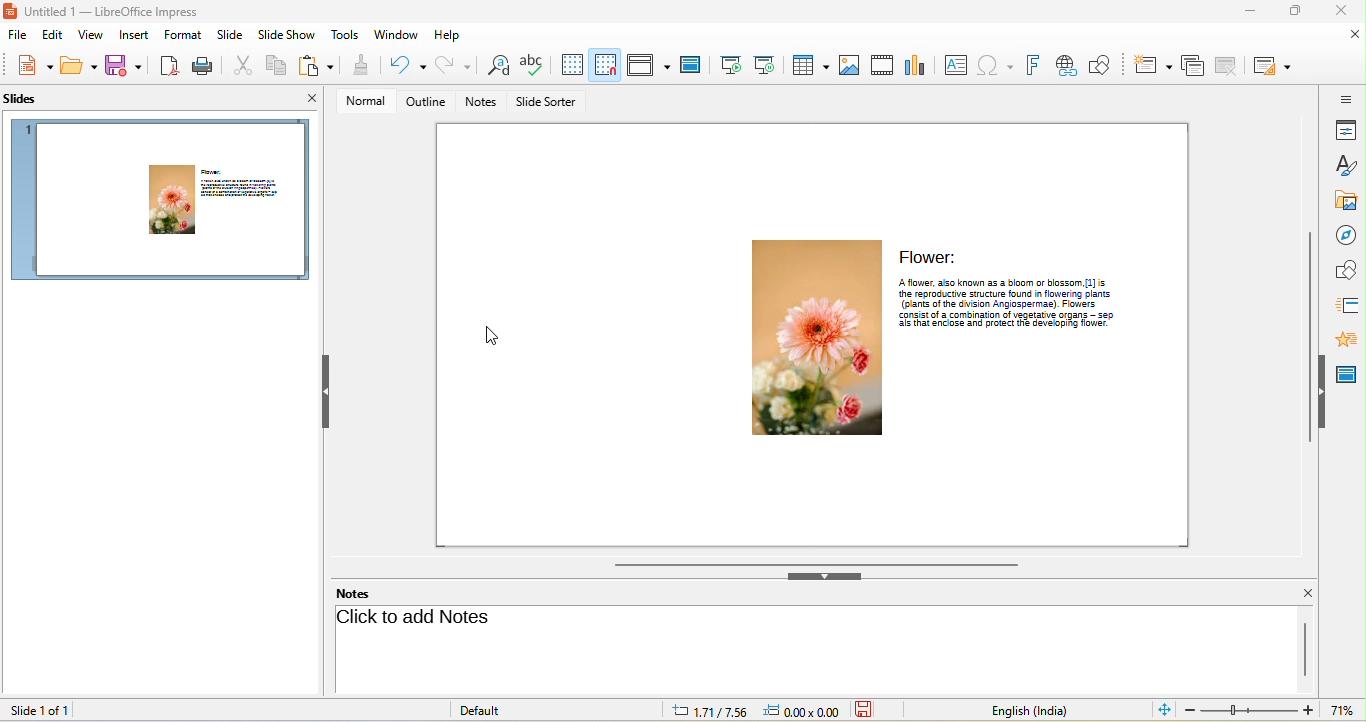  I want to click on table, so click(807, 65).